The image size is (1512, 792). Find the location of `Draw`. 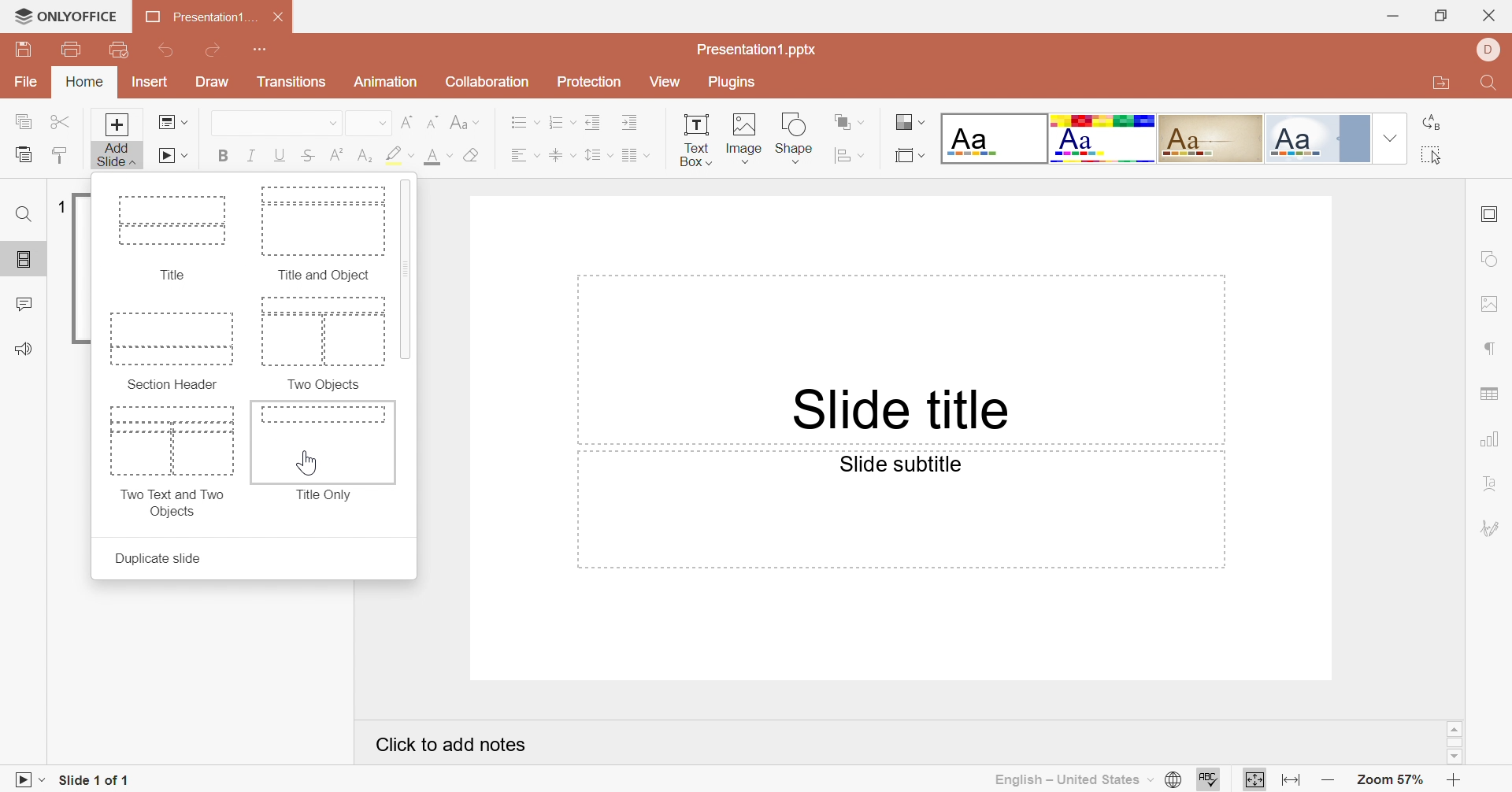

Draw is located at coordinates (212, 81).